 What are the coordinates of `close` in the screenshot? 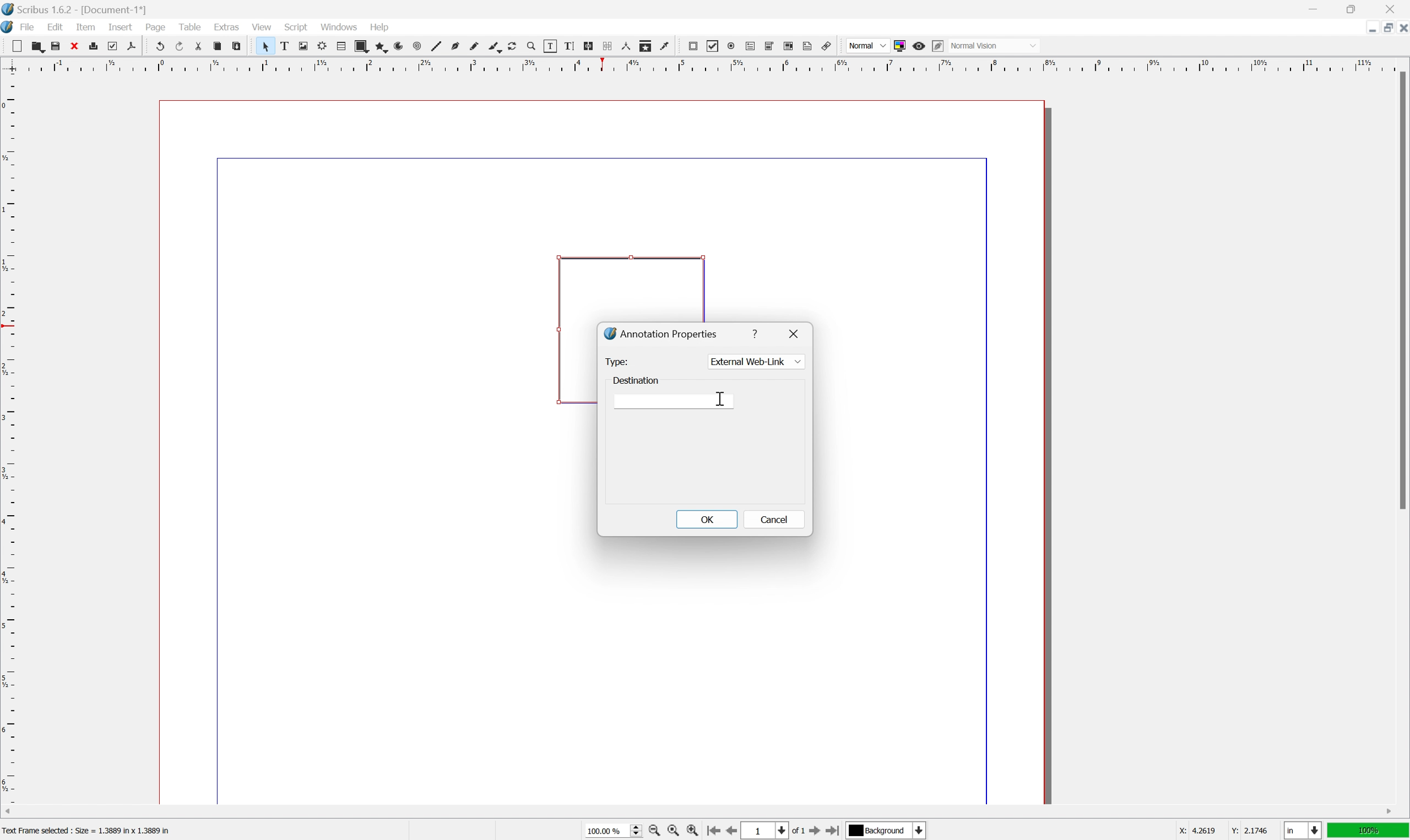 It's located at (74, 46).